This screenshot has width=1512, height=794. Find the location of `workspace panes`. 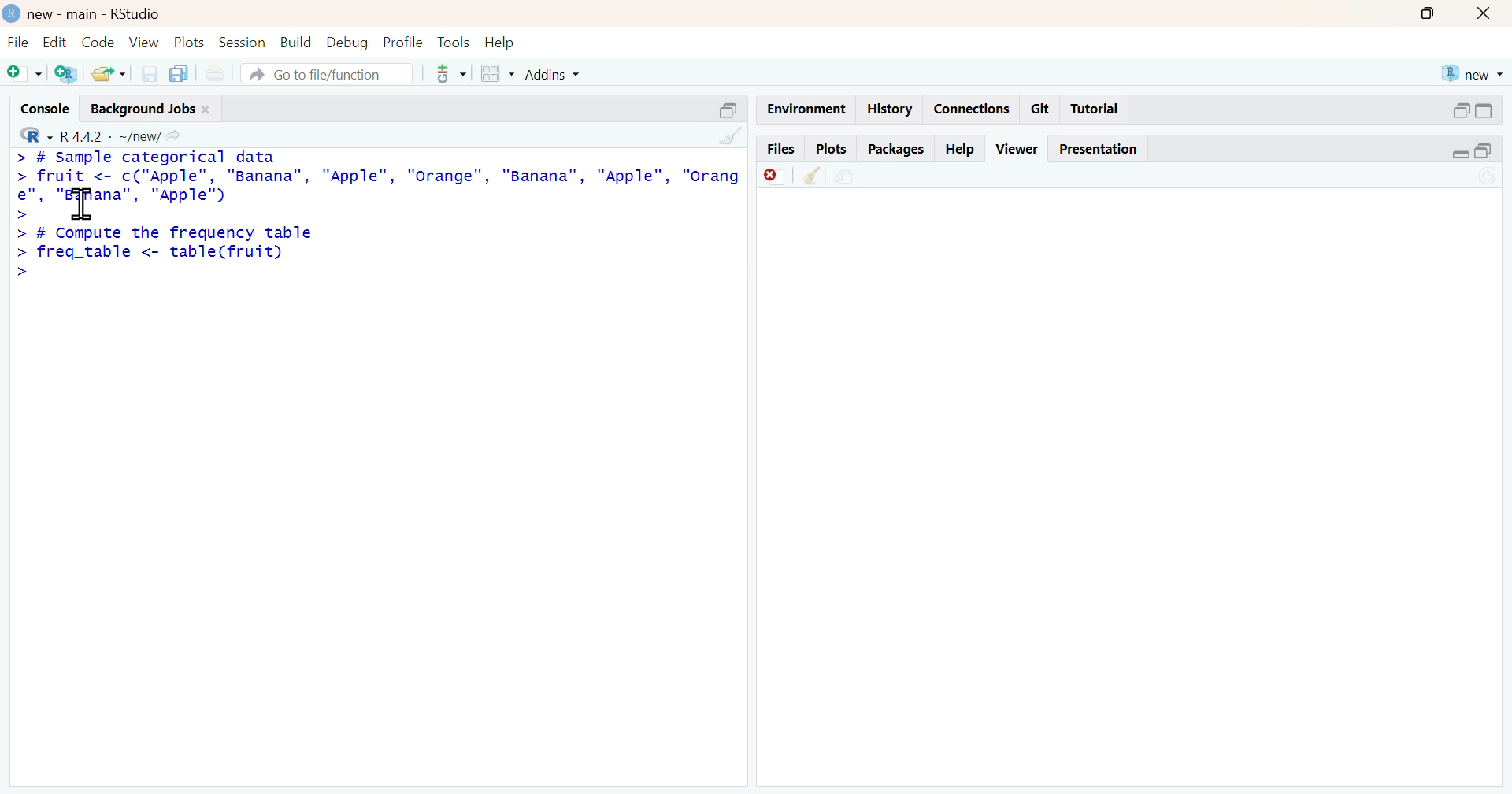

workspace panes is located at coordinates (498, 74).